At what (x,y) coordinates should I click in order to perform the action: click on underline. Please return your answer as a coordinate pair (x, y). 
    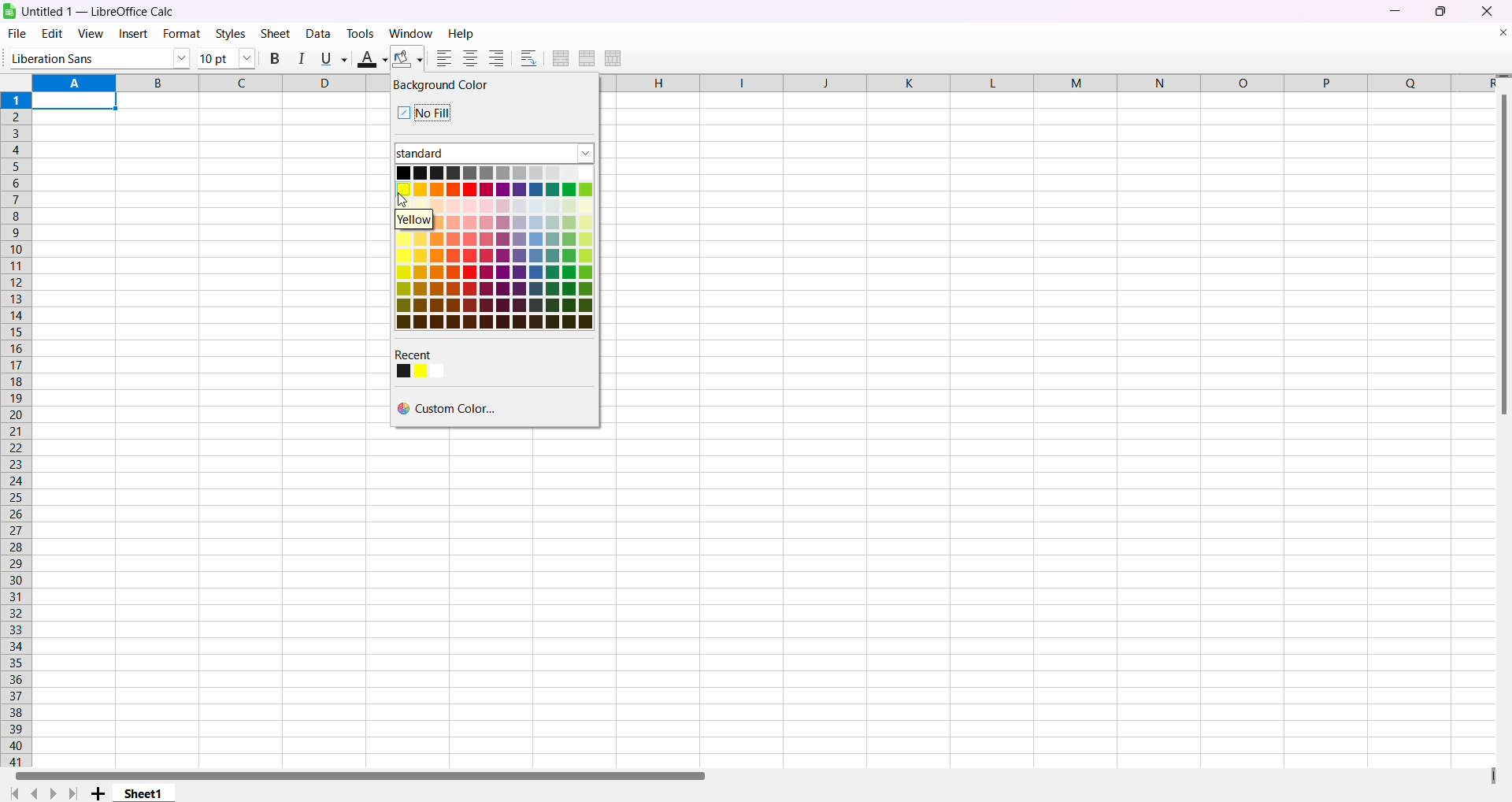
    Looking at the image, I should click on (330, 58).